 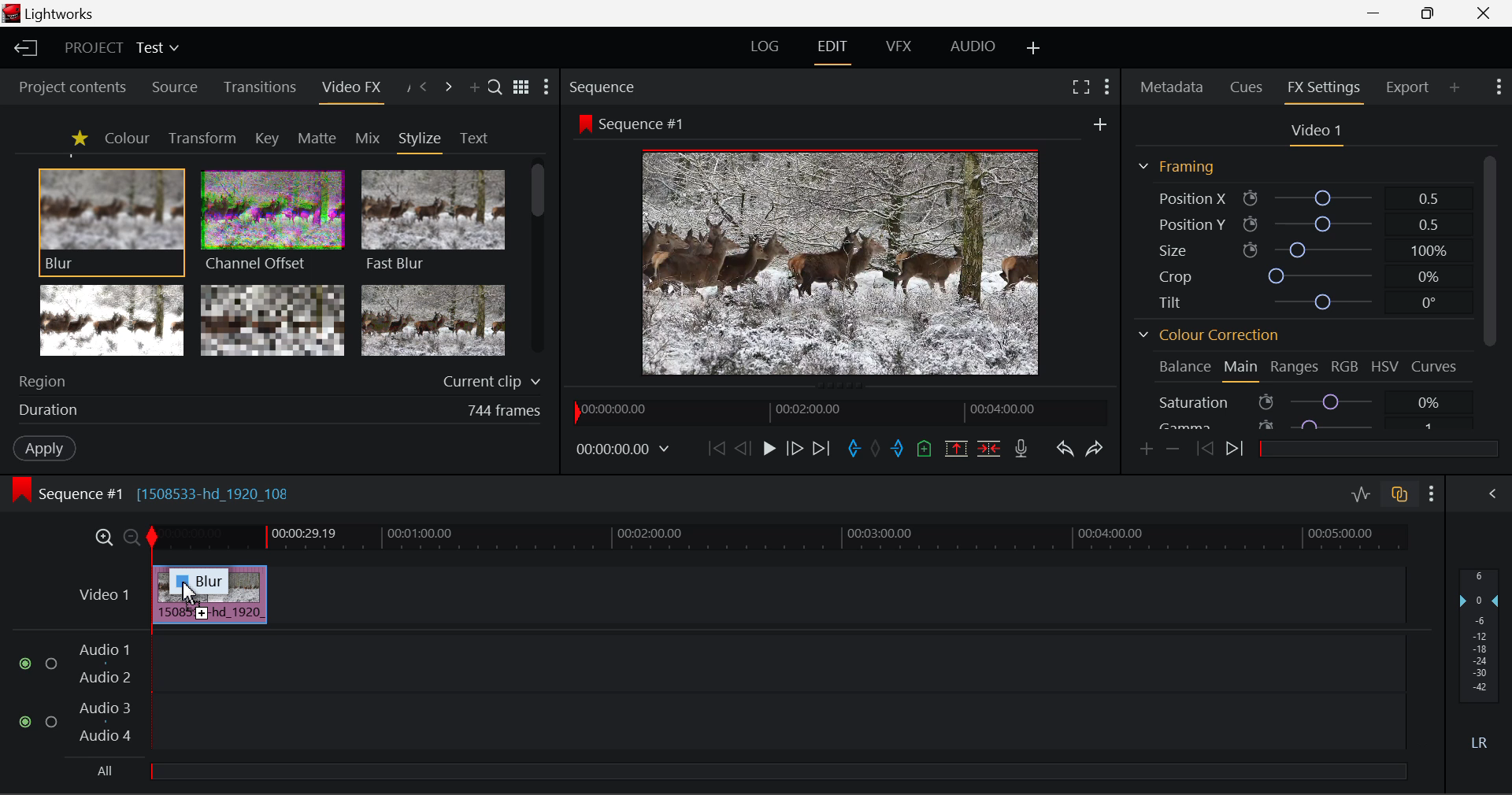 What do you see at coordinates (714, 447) in the screenshot?
I see `To Start` at bounding box center [714, 447].